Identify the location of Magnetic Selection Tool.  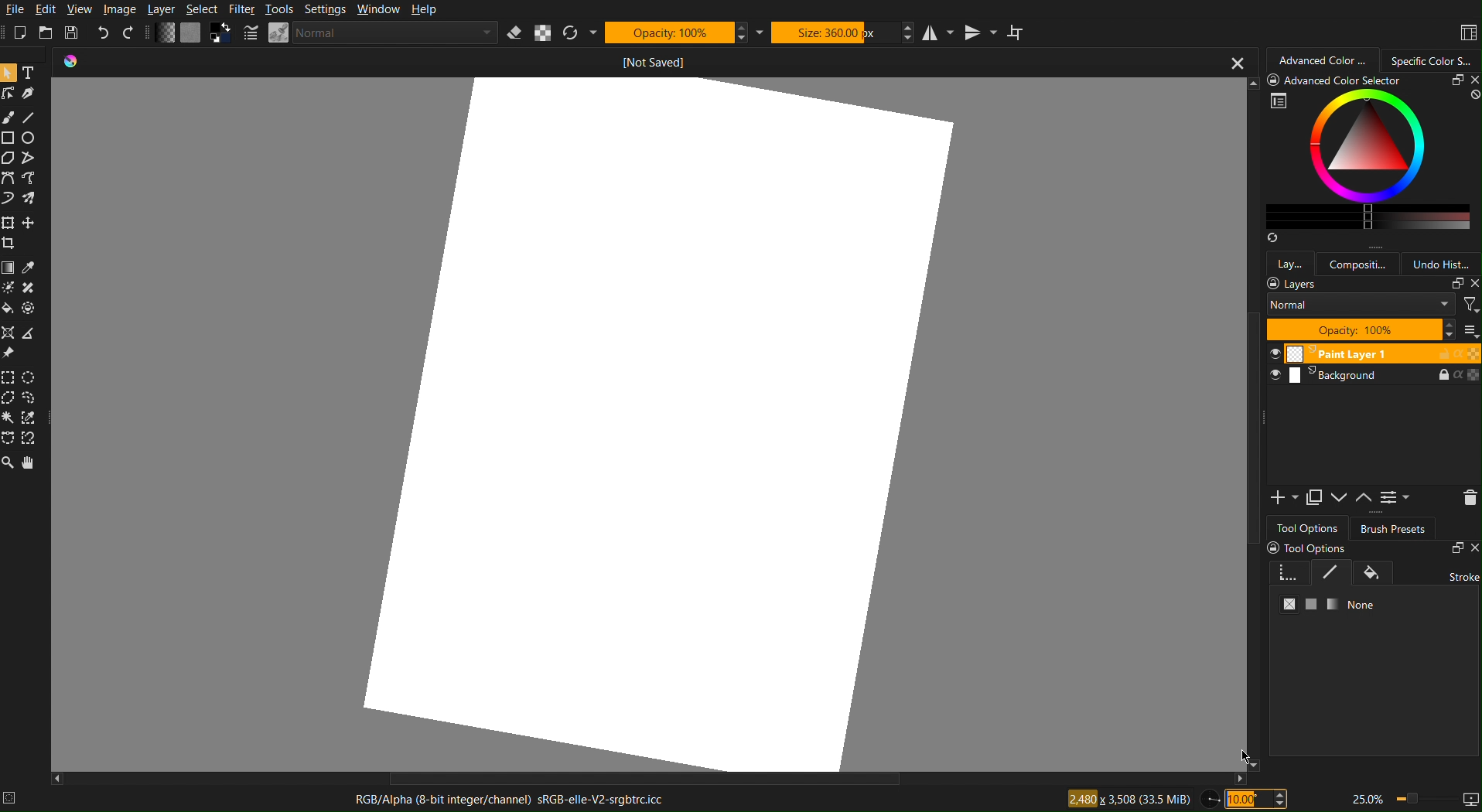
(29, 439).